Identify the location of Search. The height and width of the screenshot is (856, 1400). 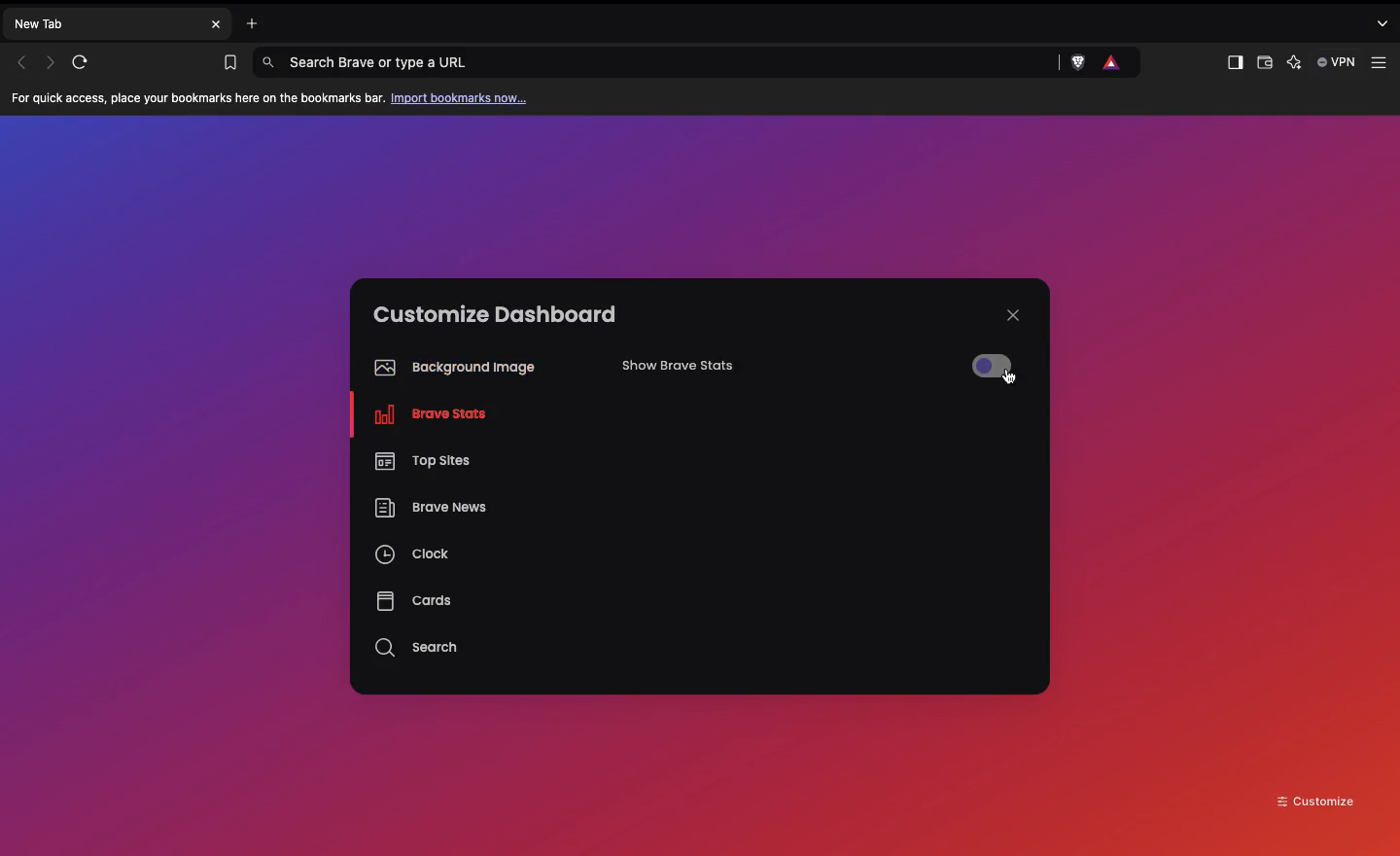
(419, 648).